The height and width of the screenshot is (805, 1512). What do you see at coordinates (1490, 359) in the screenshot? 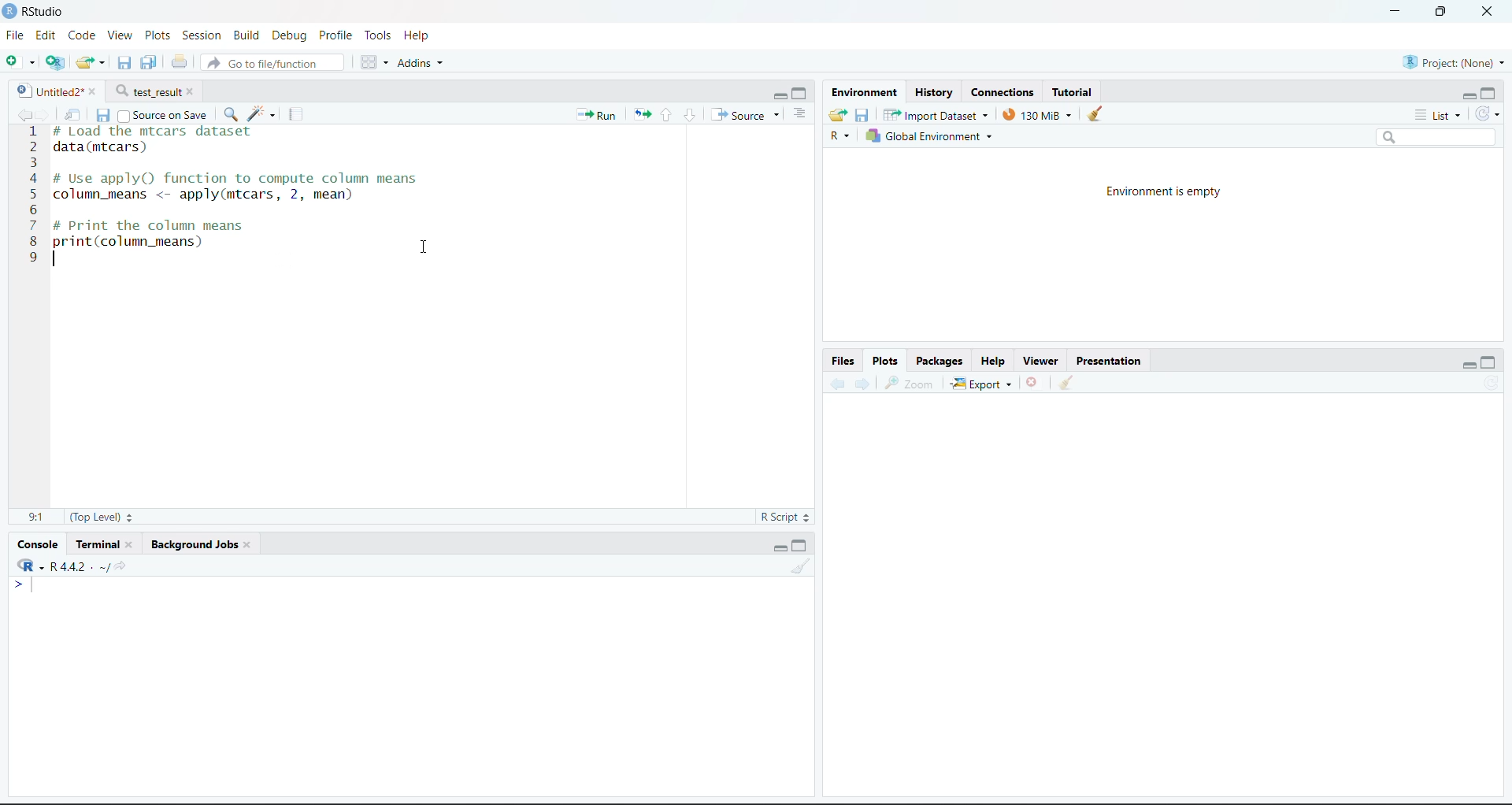
I see `Maximize` at bounding box center [1490, 359].